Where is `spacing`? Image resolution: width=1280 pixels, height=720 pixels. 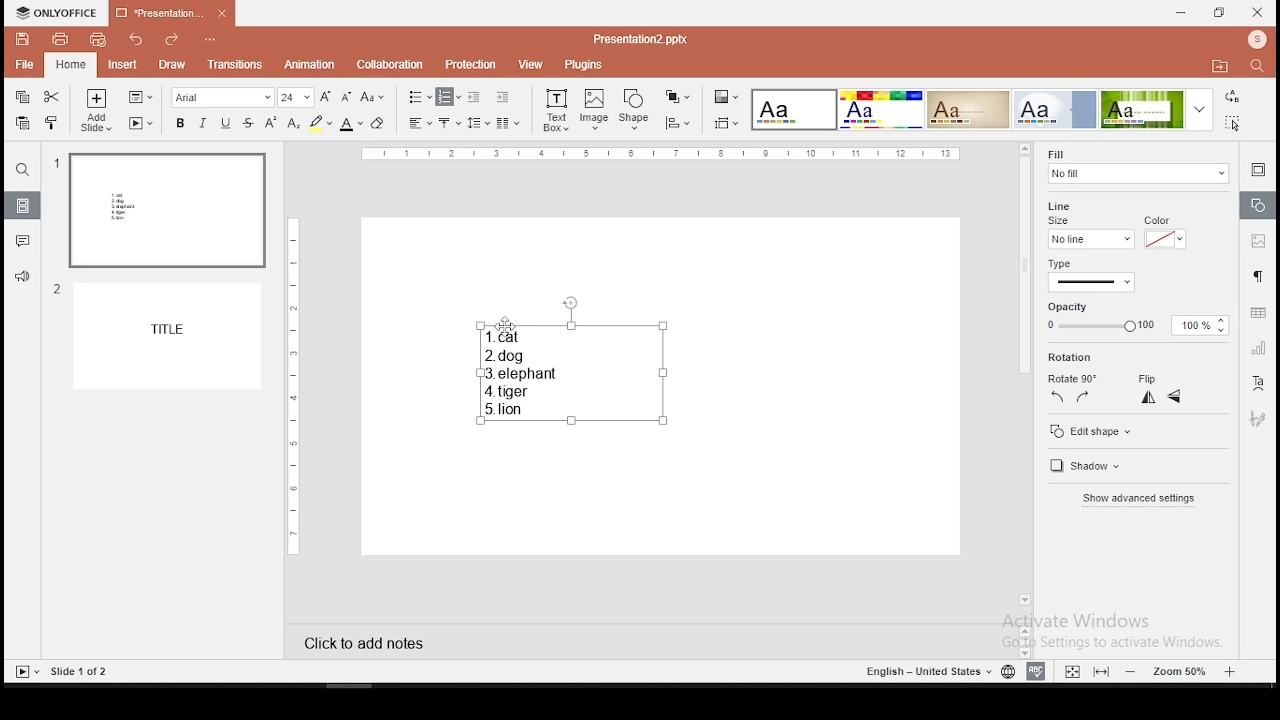
spacing is located at coordinates (479, 122).